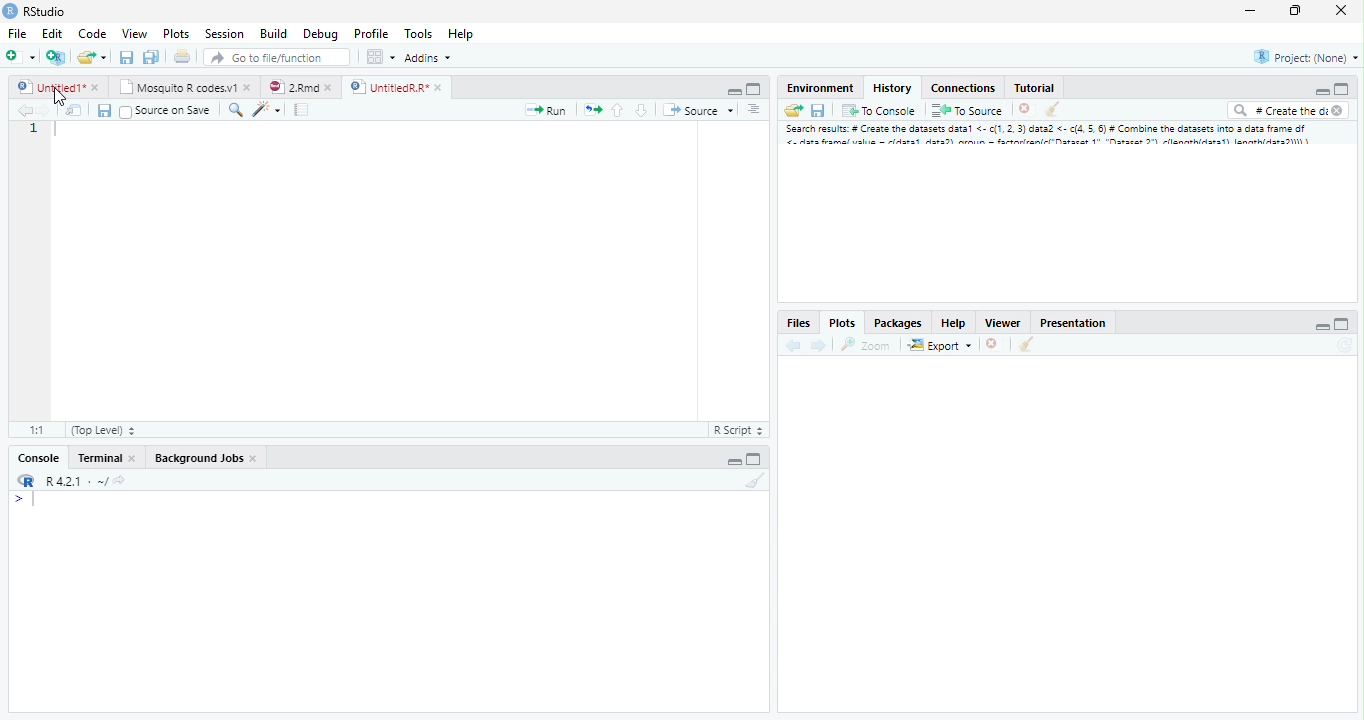  Describe the element at coordinates (300, 111) in the screenshot. I see `Pages` at that location.